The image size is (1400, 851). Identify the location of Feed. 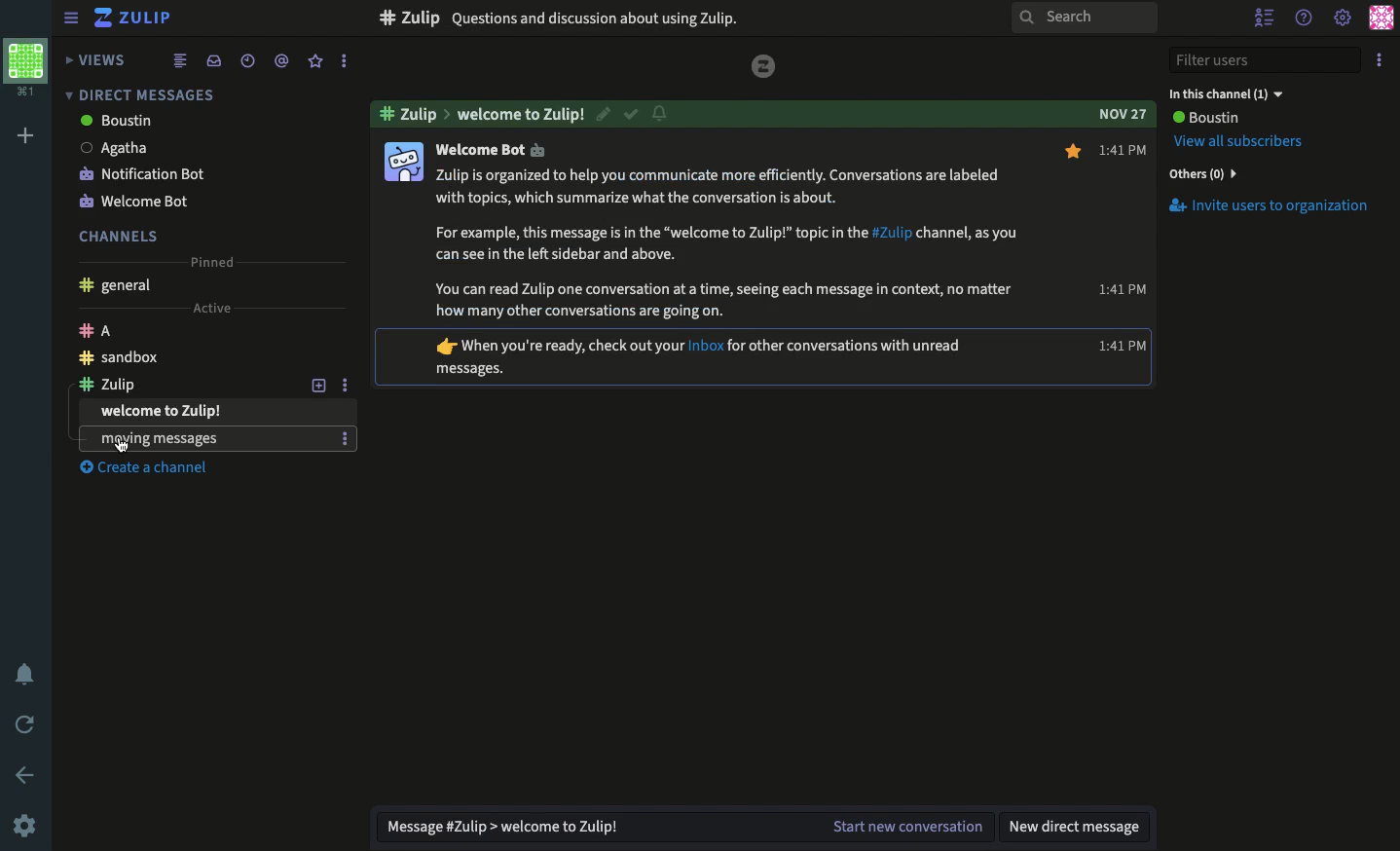
(180, 59).